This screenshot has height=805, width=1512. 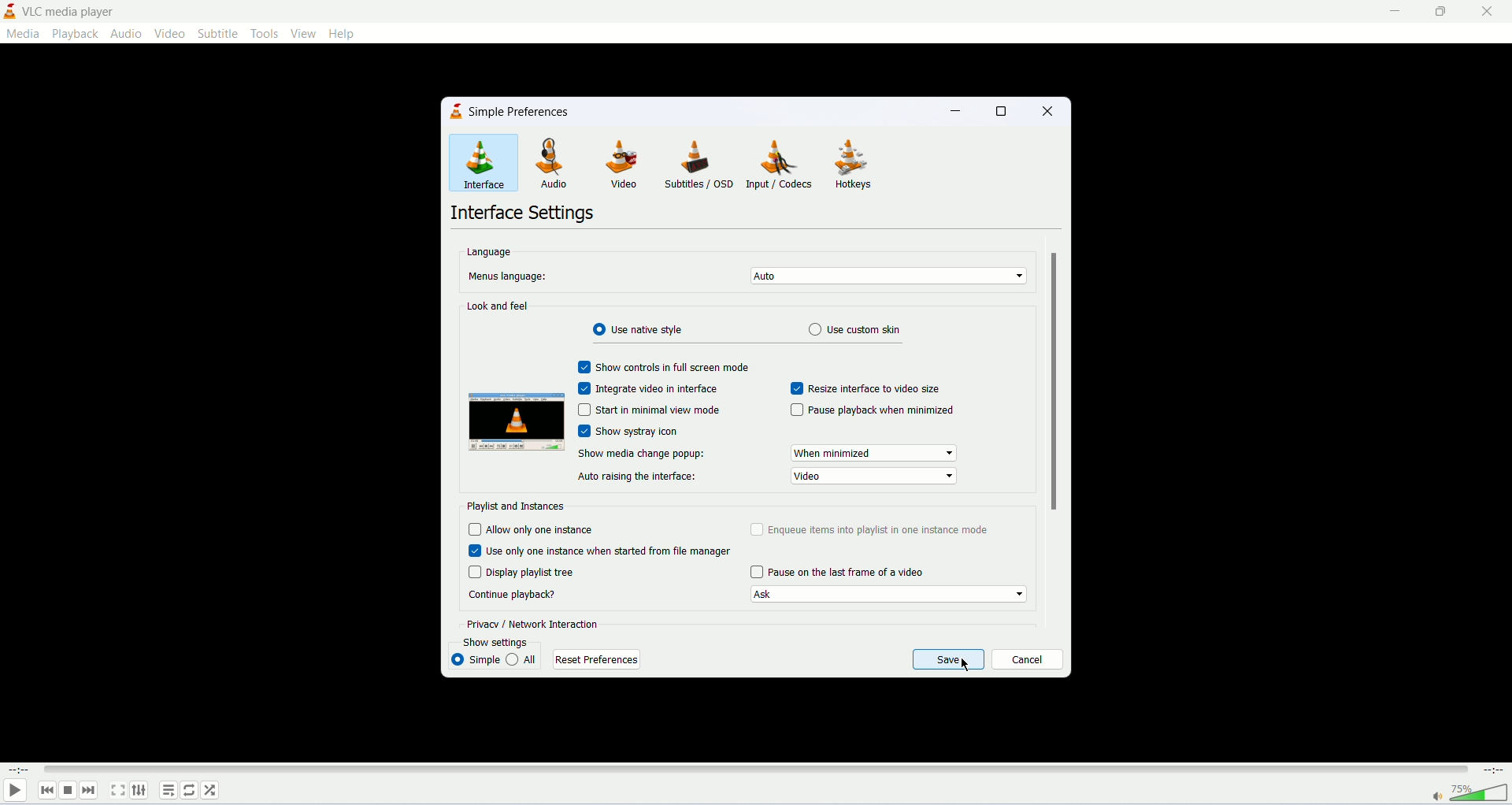 I want to click on subtitle, so click(x=220, y=33).